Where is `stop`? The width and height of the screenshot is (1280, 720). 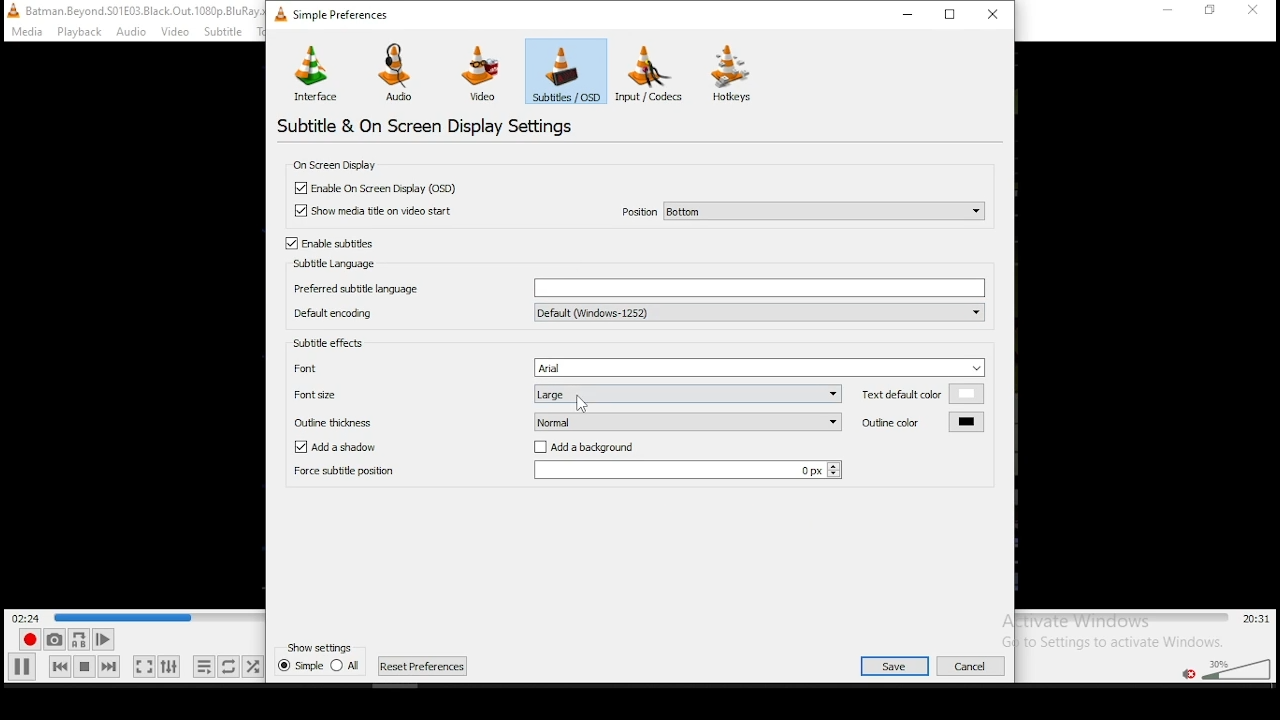 stop is located at coordinates (84, 666).